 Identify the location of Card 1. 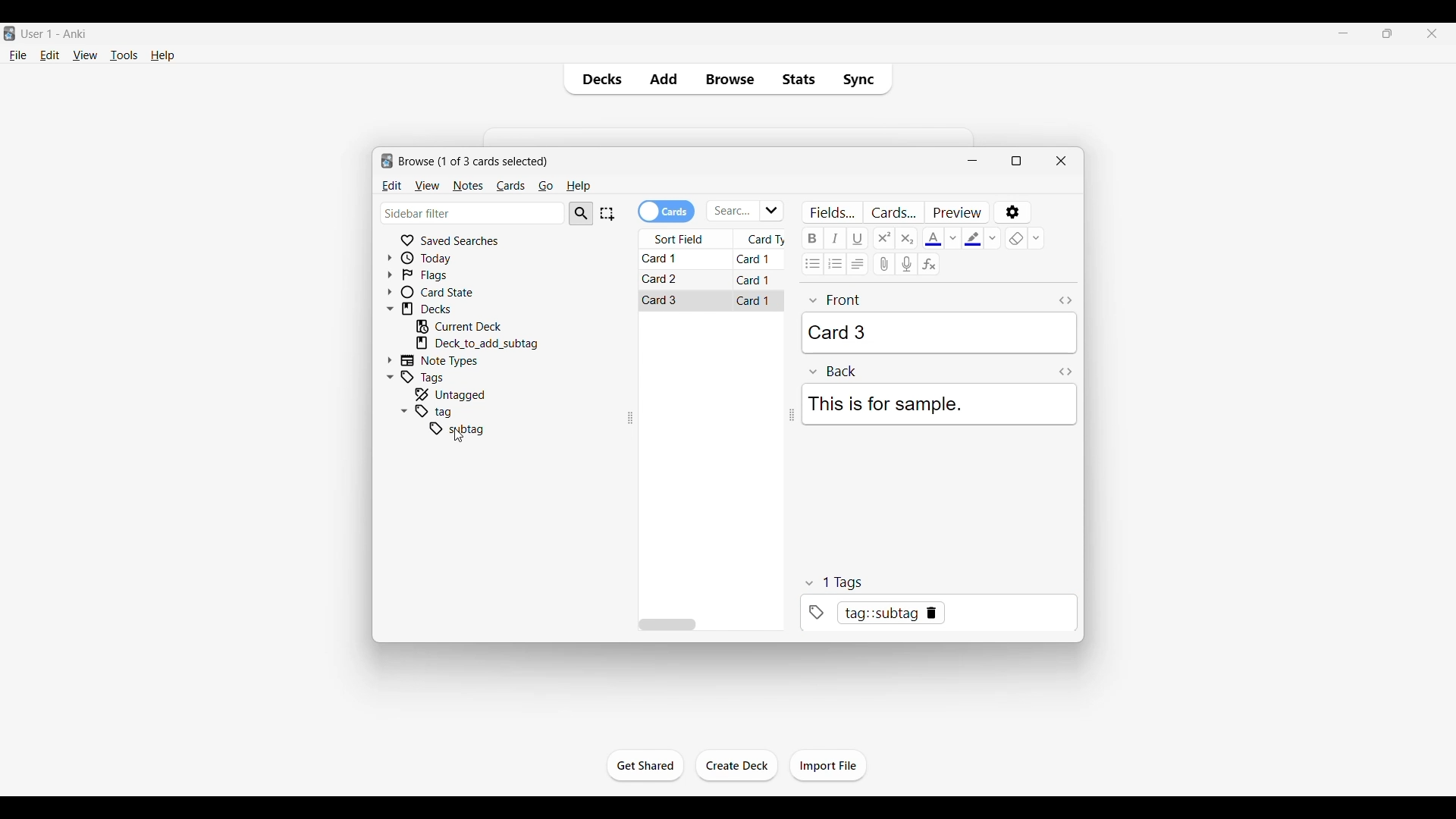
(755, 259).